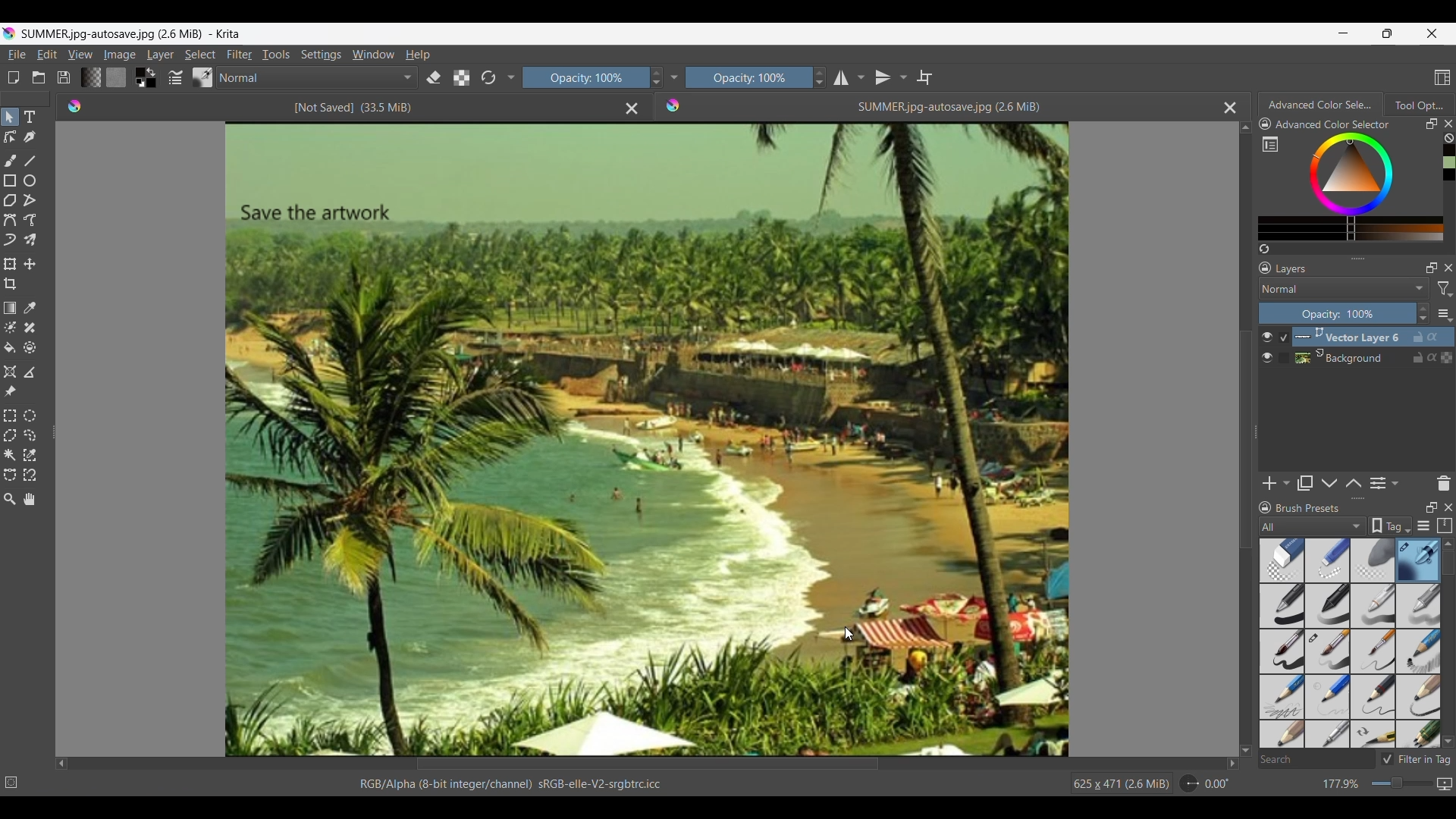 The image size is (1456, 819). Describe the element at coordinates (9, 416) in the screenshot. I see `Rectangular selection tool` at that location.